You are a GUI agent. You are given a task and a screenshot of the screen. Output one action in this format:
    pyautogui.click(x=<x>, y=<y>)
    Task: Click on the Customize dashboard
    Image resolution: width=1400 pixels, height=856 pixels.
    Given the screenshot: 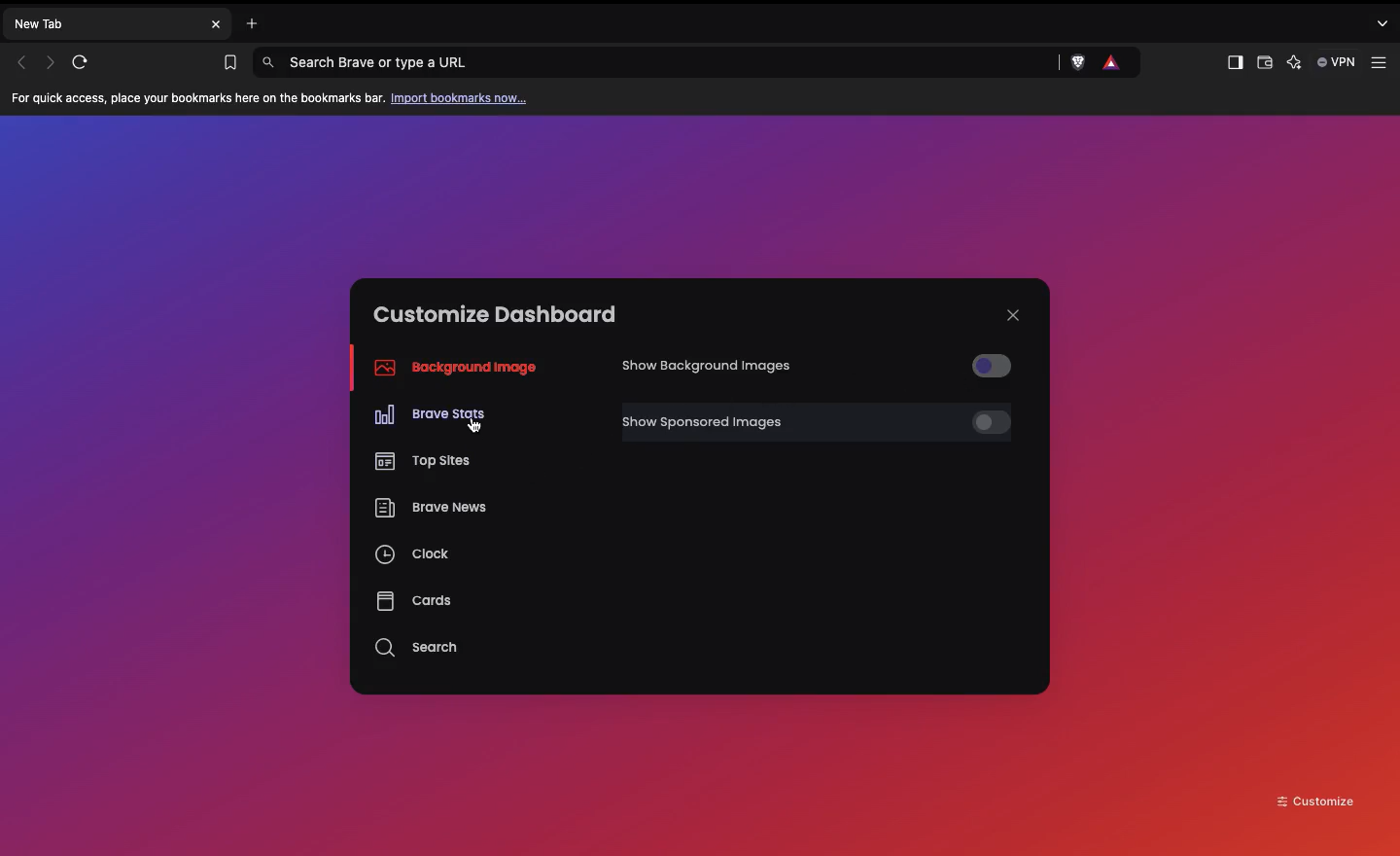 What is the action you would take?
    pyautogui.click(x=495, y=314)
    